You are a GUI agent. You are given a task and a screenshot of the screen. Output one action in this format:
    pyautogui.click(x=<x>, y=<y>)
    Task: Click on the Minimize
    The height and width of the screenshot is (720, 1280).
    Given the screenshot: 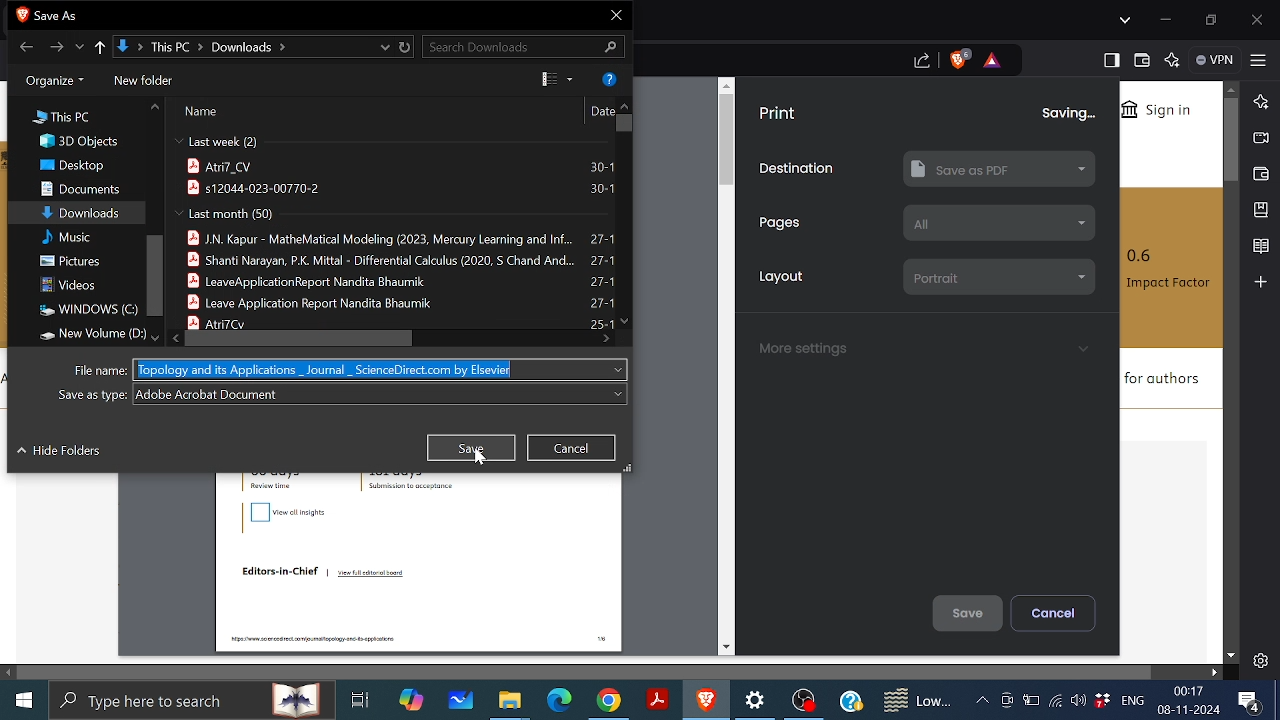 What is the action you would take?
    pyautogui.click(x=1168, y=20)
    